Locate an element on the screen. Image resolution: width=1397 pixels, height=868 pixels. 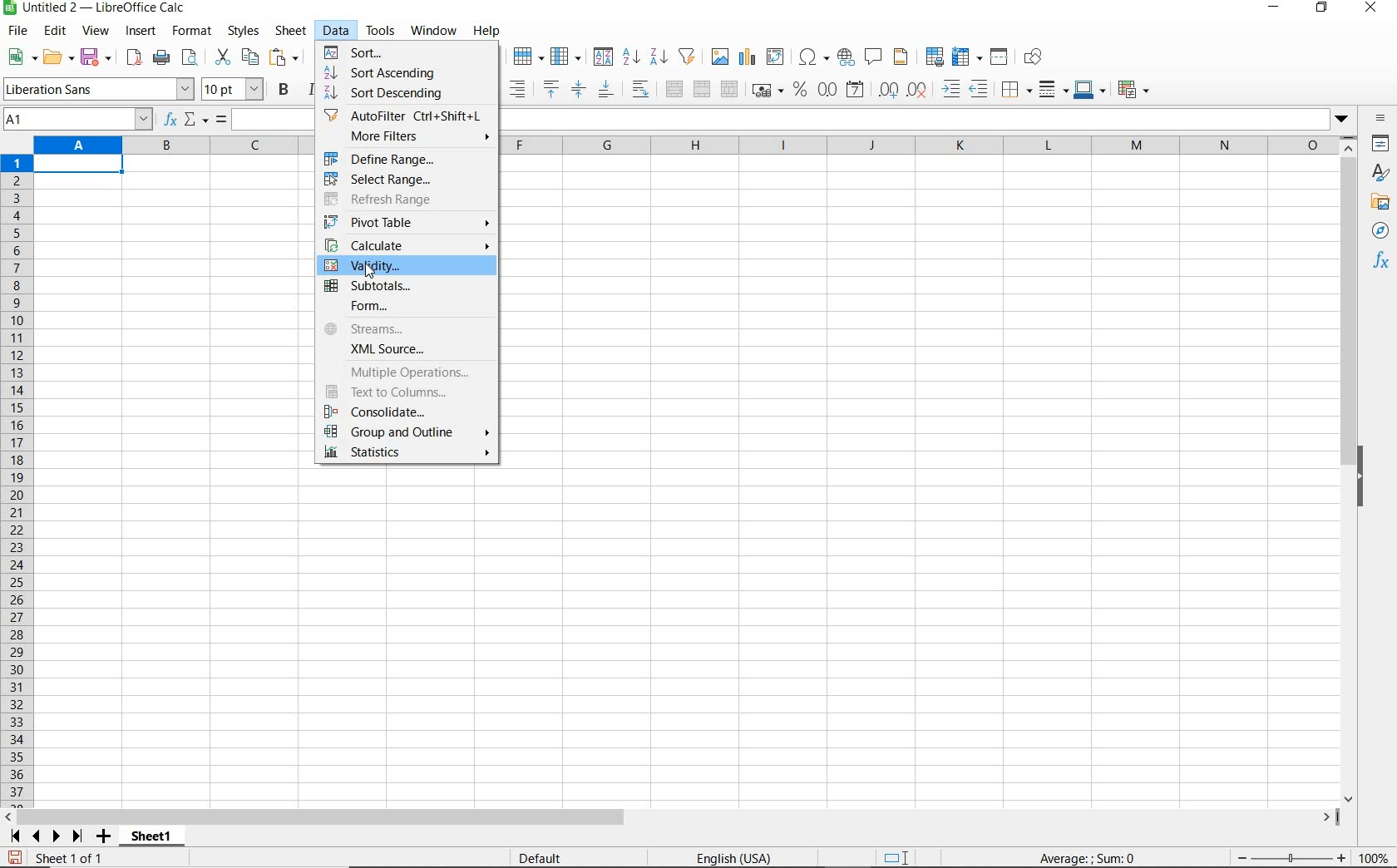
headers and footers is located at coordinates (904, 57).